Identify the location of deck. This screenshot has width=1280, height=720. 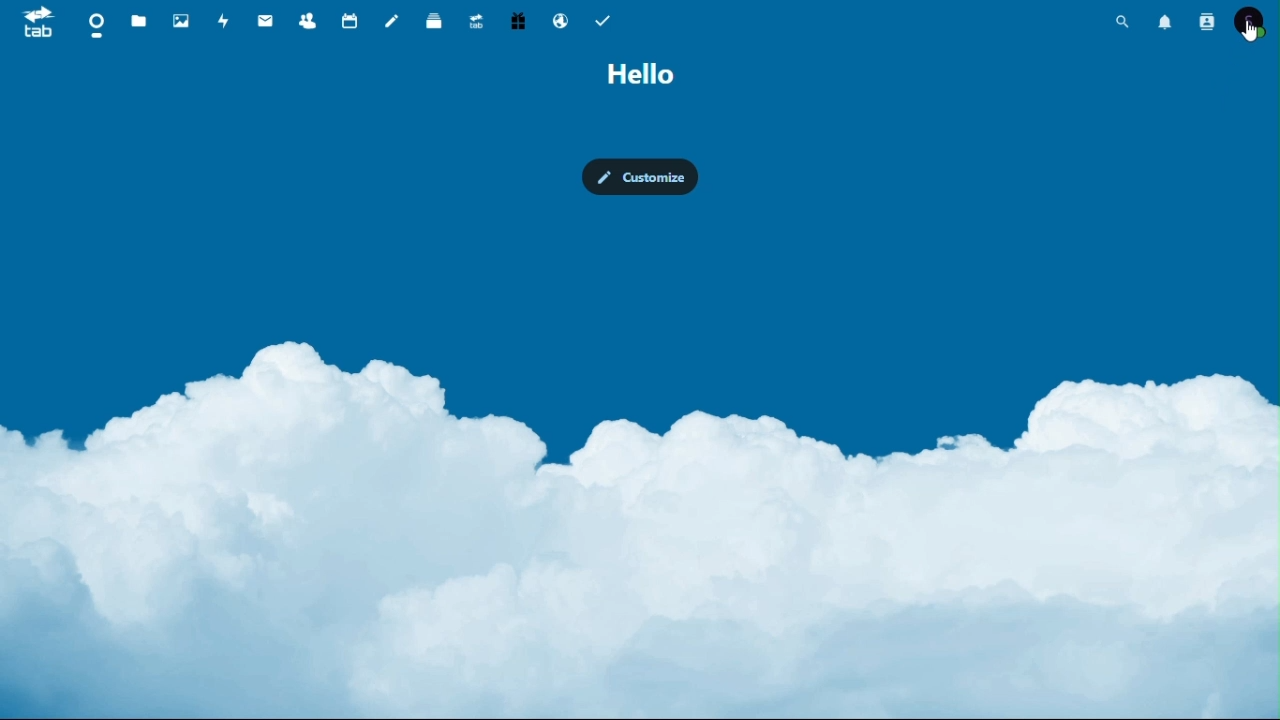
(436, 19).